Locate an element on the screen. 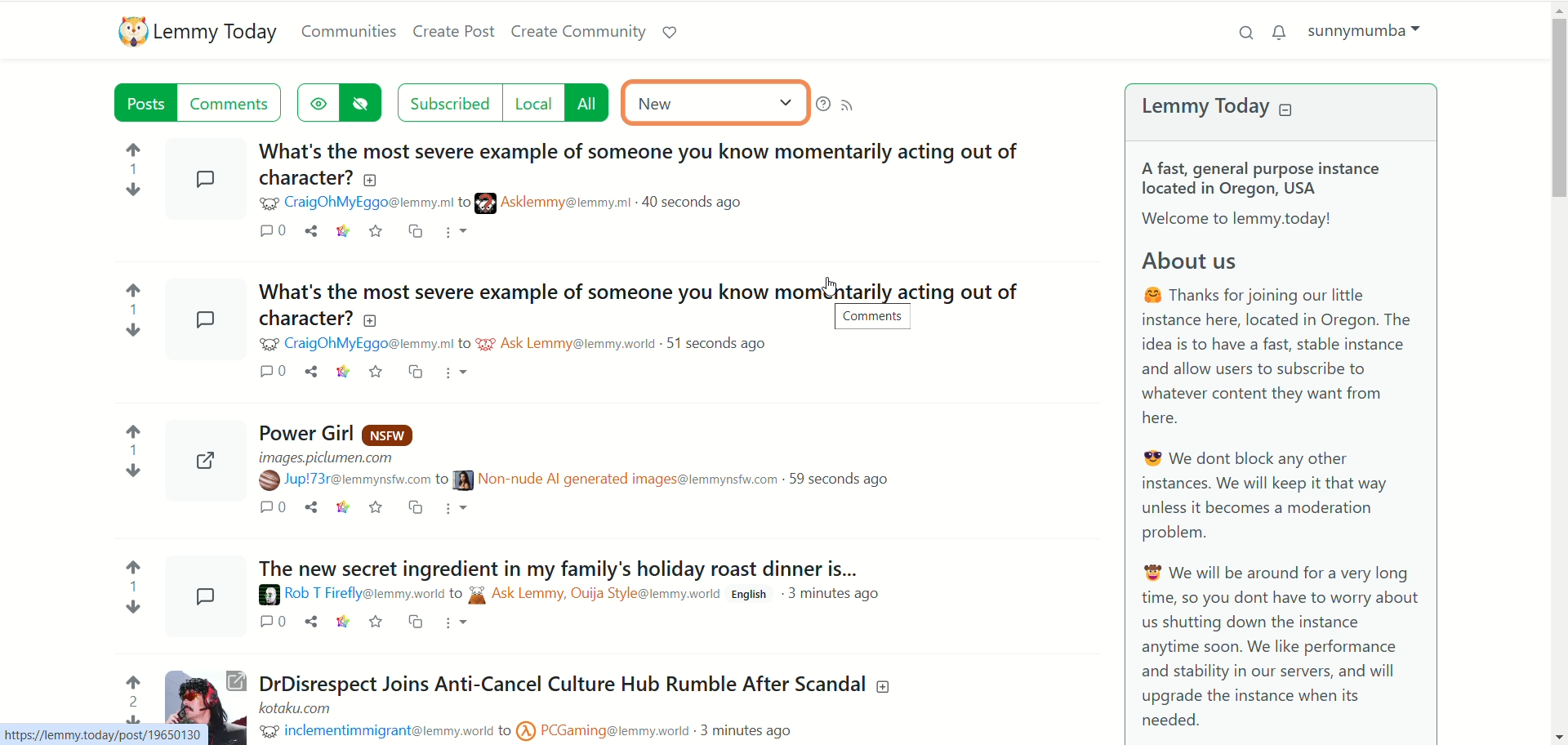 This screenshot has height=745, width=1568. posts is located at coordinates (136, 103).